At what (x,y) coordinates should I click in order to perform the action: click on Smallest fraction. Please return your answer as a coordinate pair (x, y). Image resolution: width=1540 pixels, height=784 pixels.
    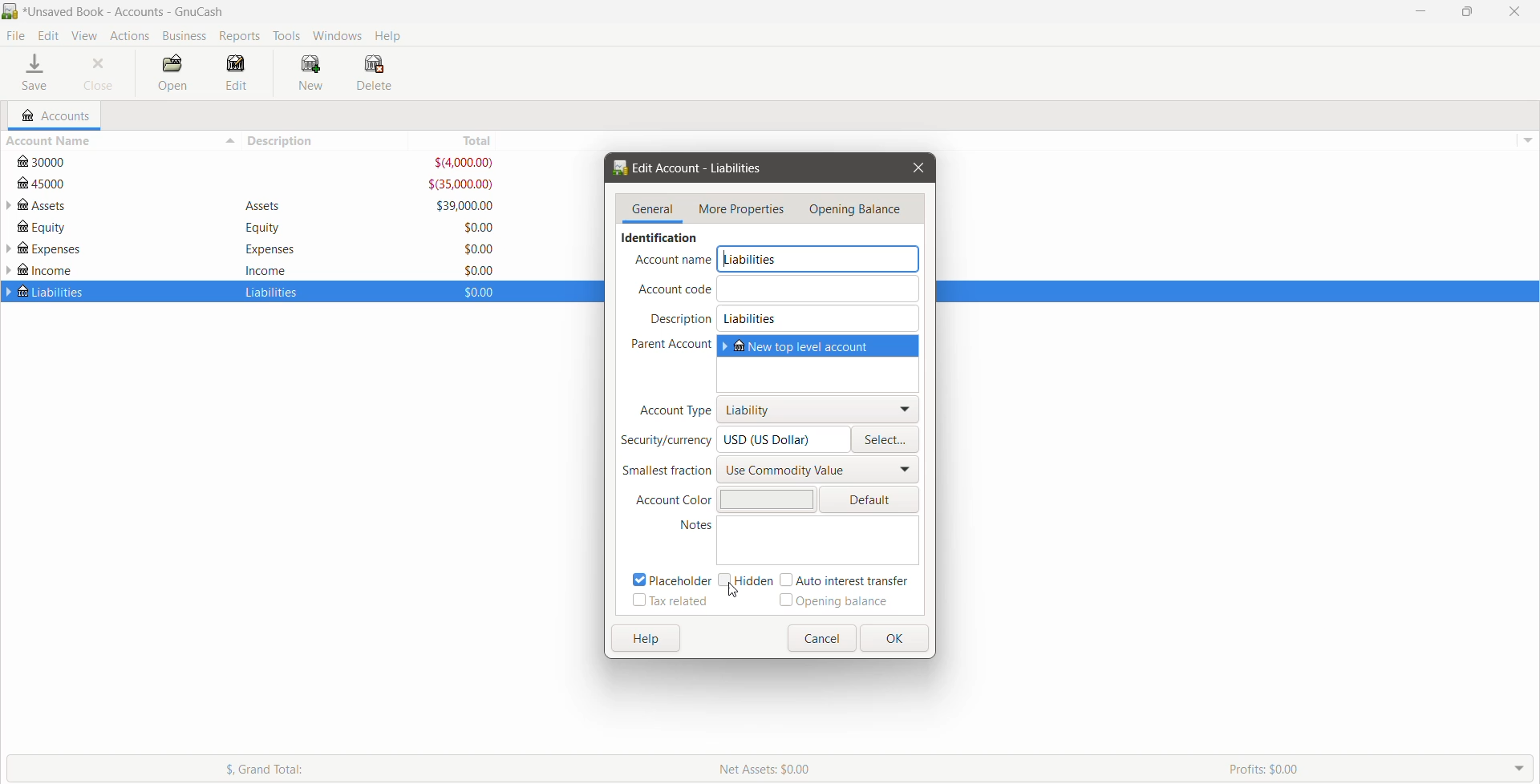
    Looking at the image, I should click on (666, 471).